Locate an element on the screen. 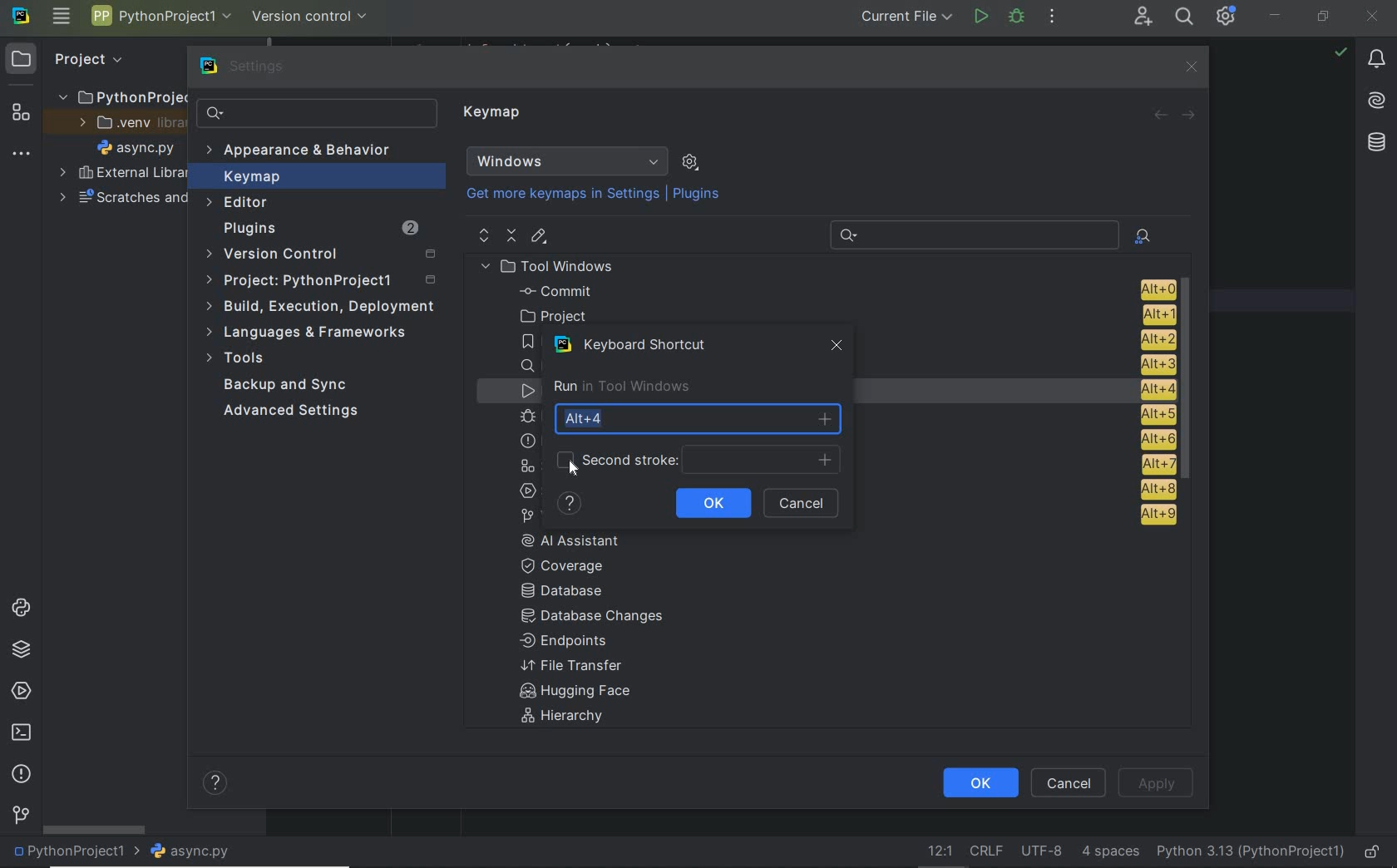 This screenshot has width=1397, height=868. Keymap is located at coordinates (495, 115).